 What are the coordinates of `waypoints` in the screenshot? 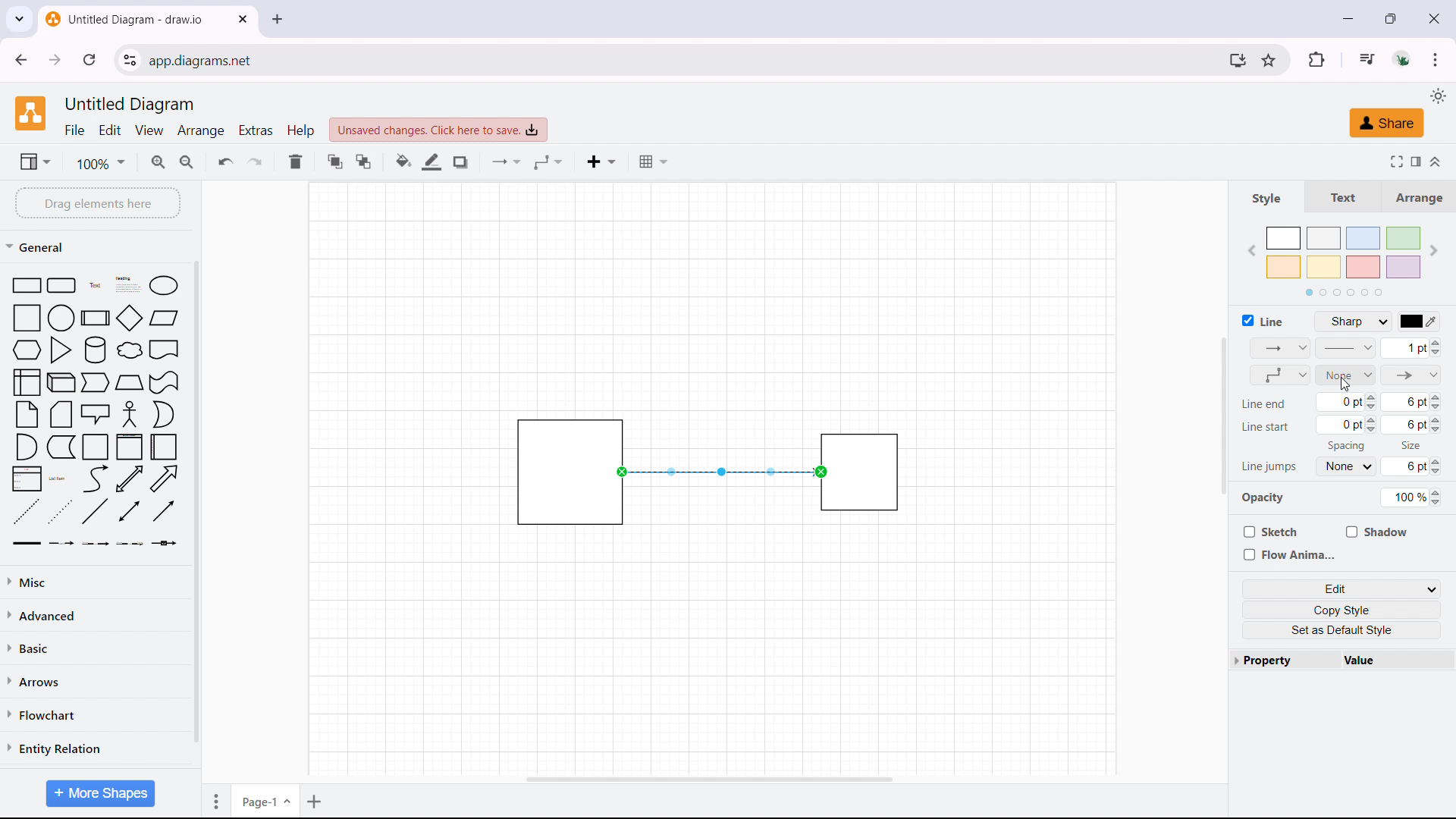 It's located at (548, 162).